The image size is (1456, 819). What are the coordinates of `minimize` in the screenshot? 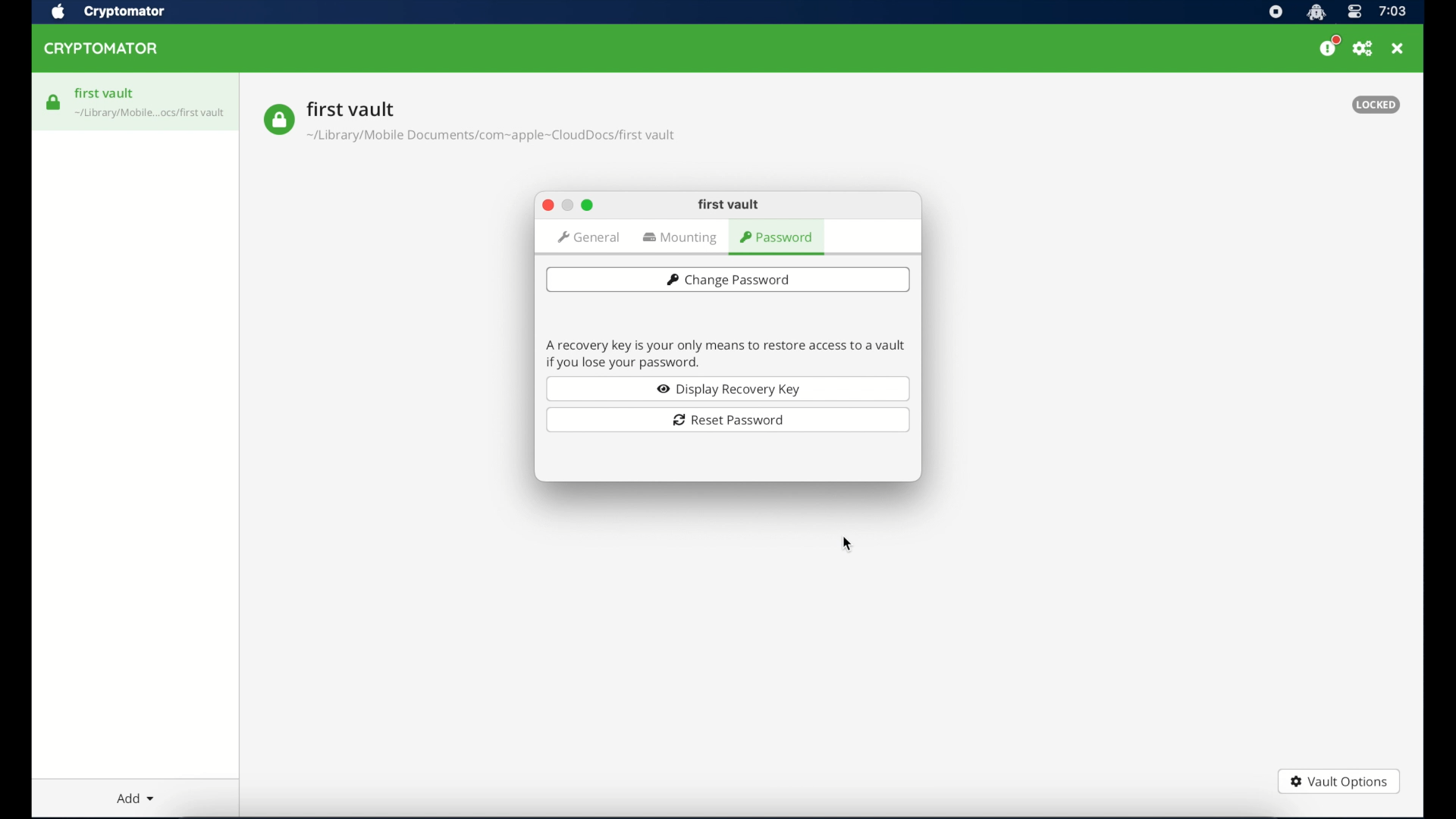 It's located at (566, 206).